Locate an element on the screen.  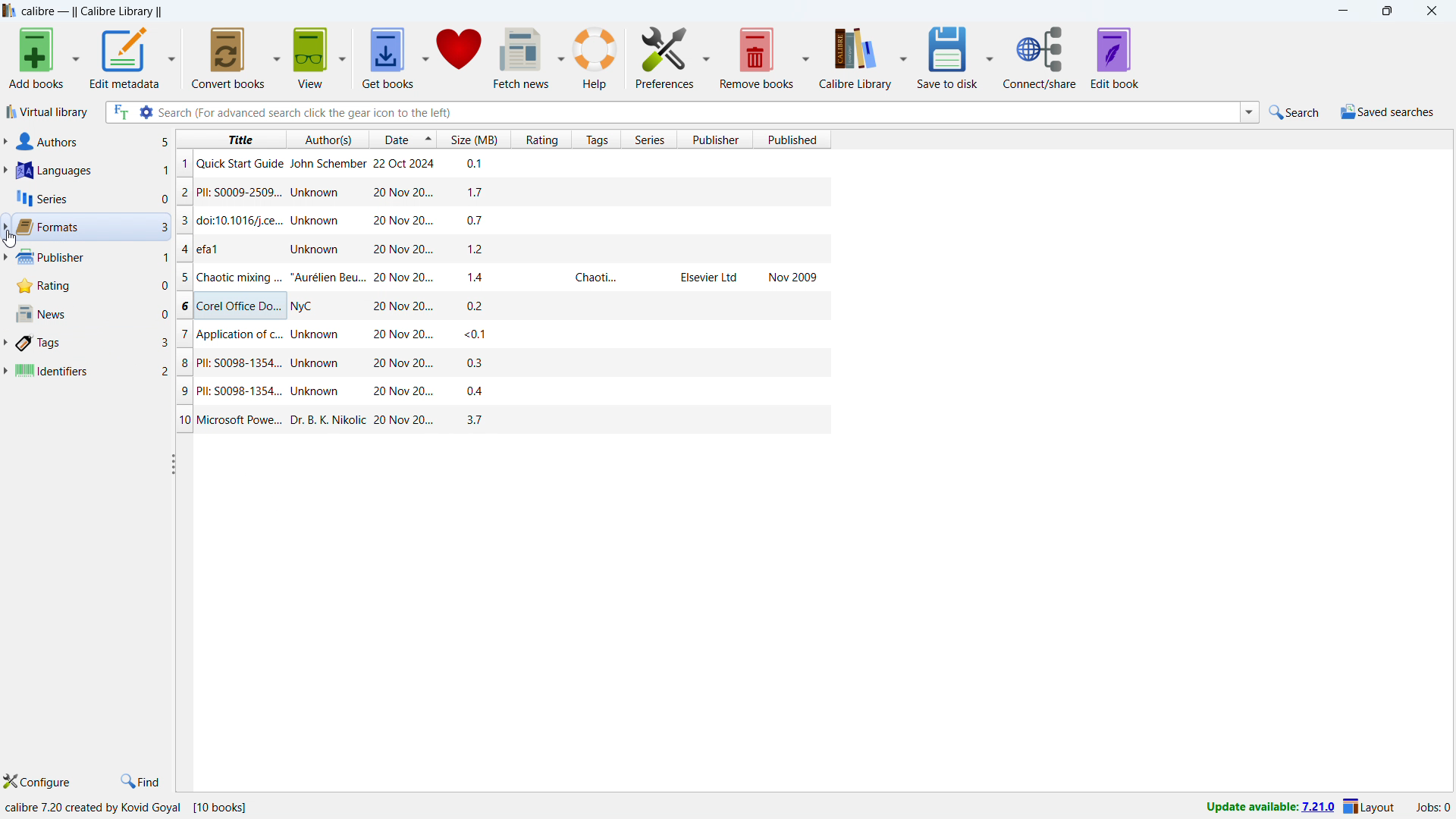
authors is located at coordinates (93, 142).